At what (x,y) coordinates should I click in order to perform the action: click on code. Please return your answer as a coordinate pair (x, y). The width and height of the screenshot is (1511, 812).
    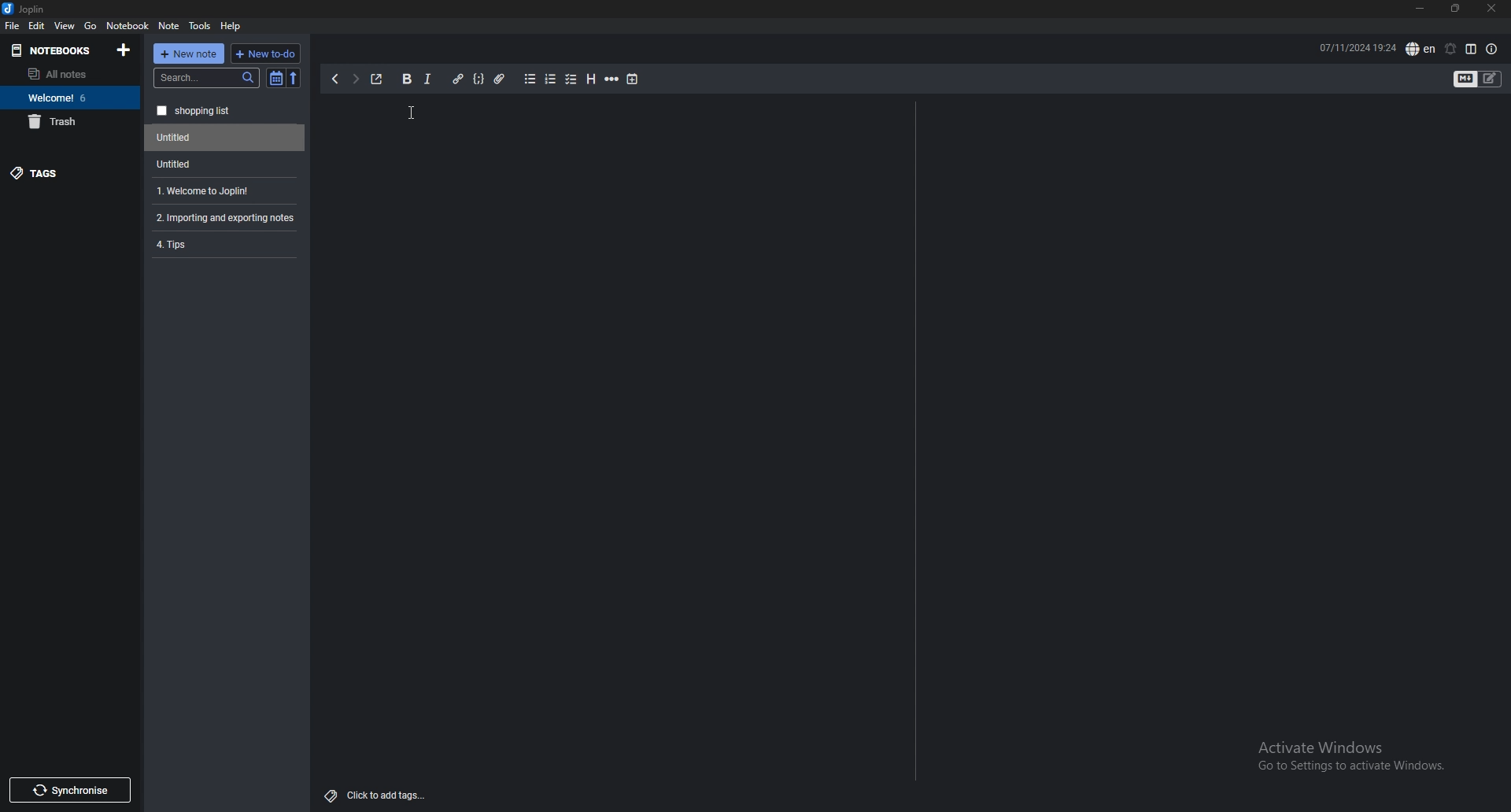
    Looking at the image, I should click on (478, 79).